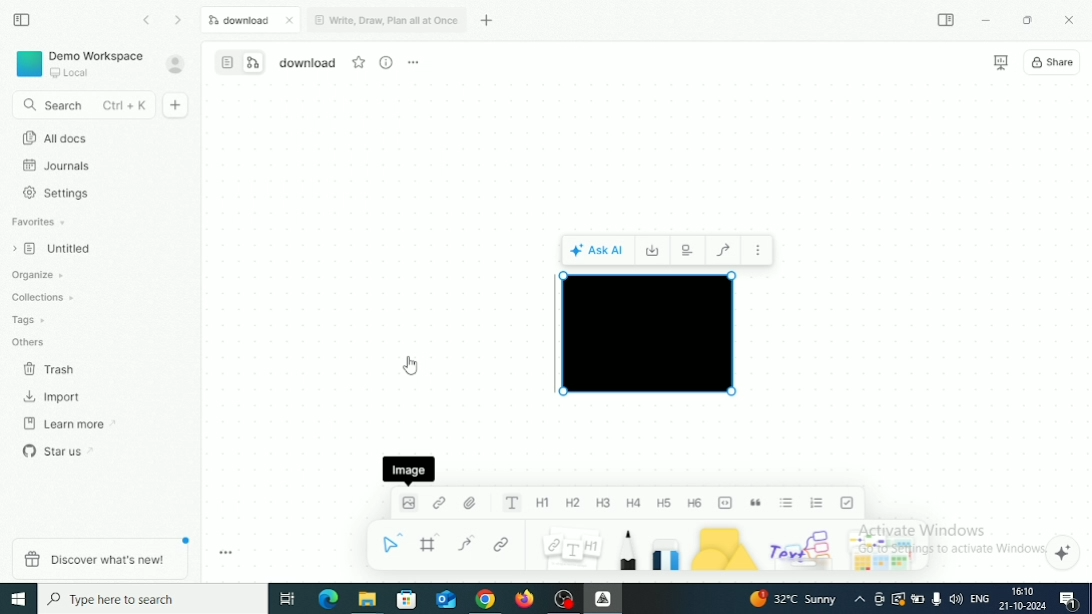  What do you see at coordinates (470, 543) in the screenshot?
I see `Curve` at bounding box center [470, 543].